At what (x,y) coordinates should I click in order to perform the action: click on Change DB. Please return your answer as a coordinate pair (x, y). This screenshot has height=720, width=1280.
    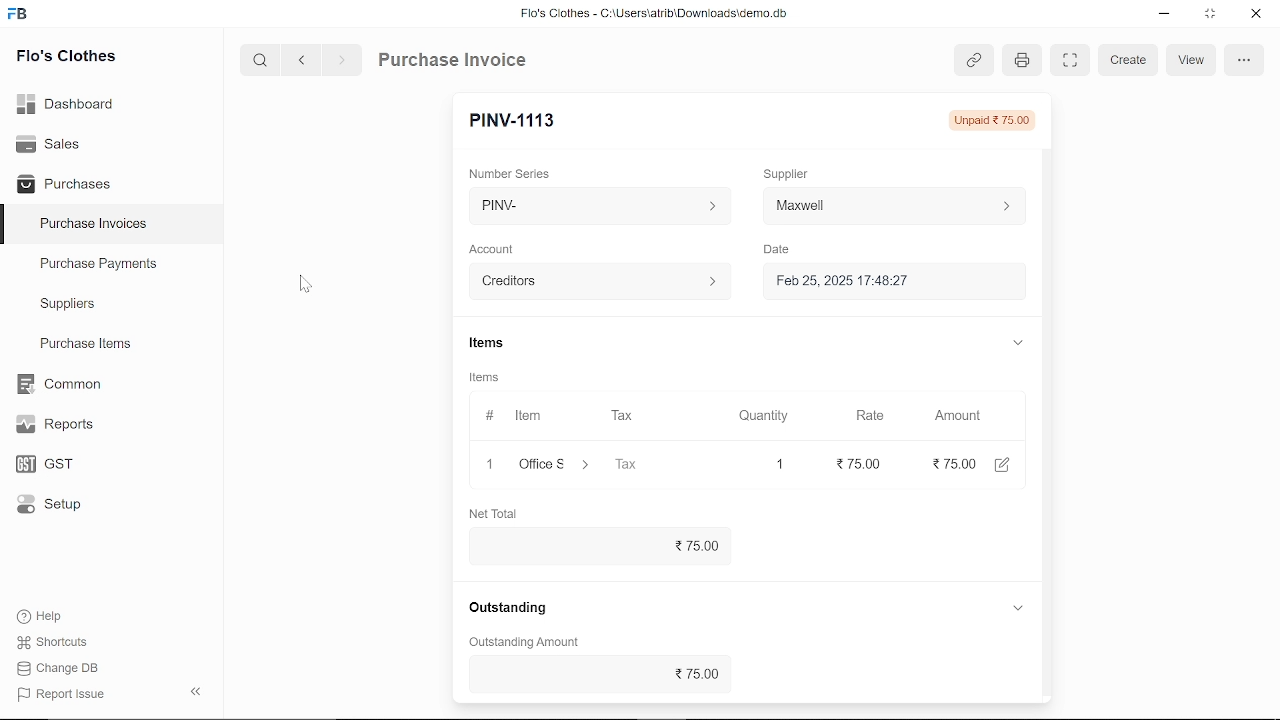
    Looking at the image, I should click on (58, 670).